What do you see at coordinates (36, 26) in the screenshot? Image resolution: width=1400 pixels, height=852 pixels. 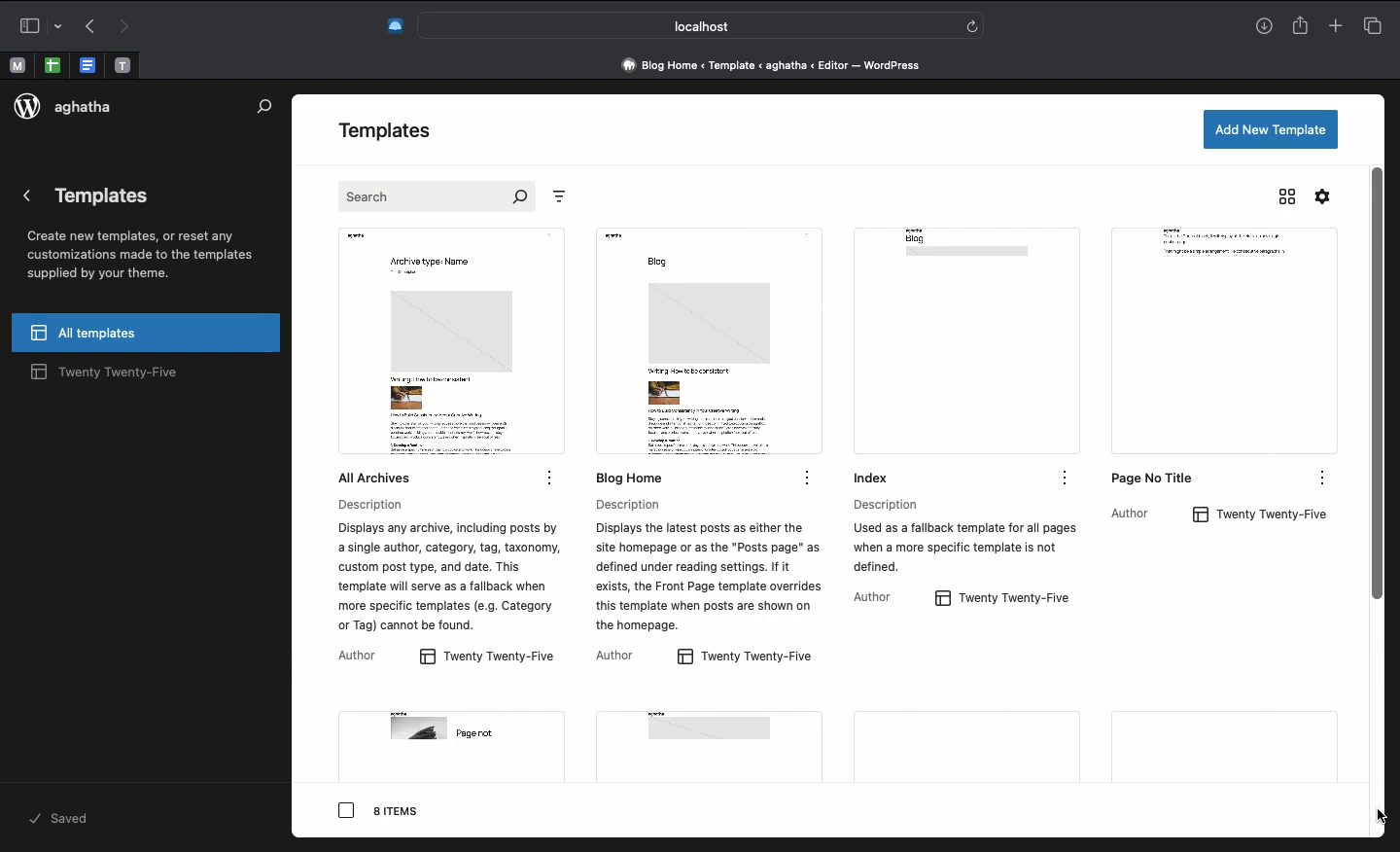 I see `Sidebar` at bounding box center [36, 26].